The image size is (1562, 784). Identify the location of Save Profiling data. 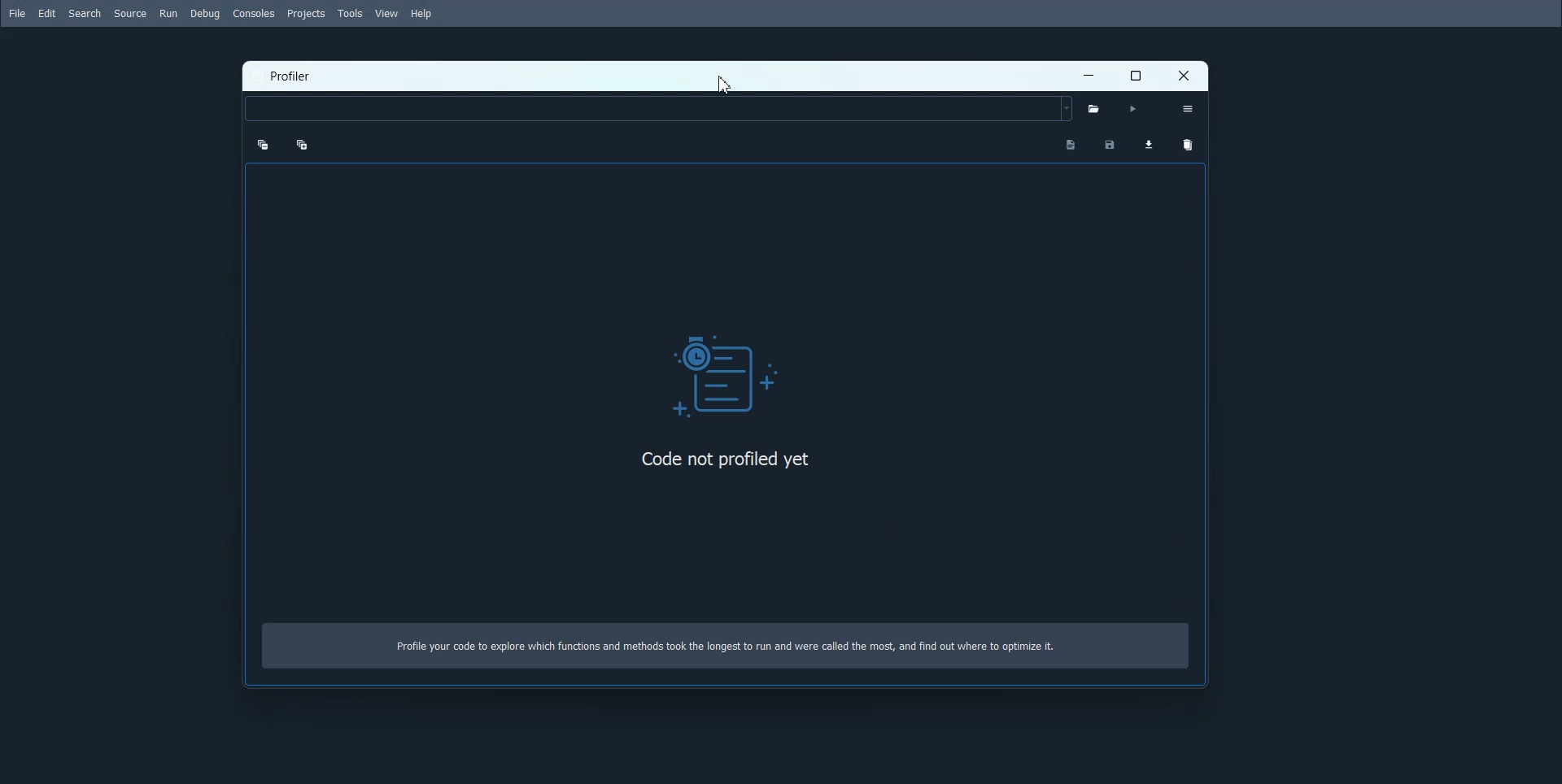
(1110, 146).